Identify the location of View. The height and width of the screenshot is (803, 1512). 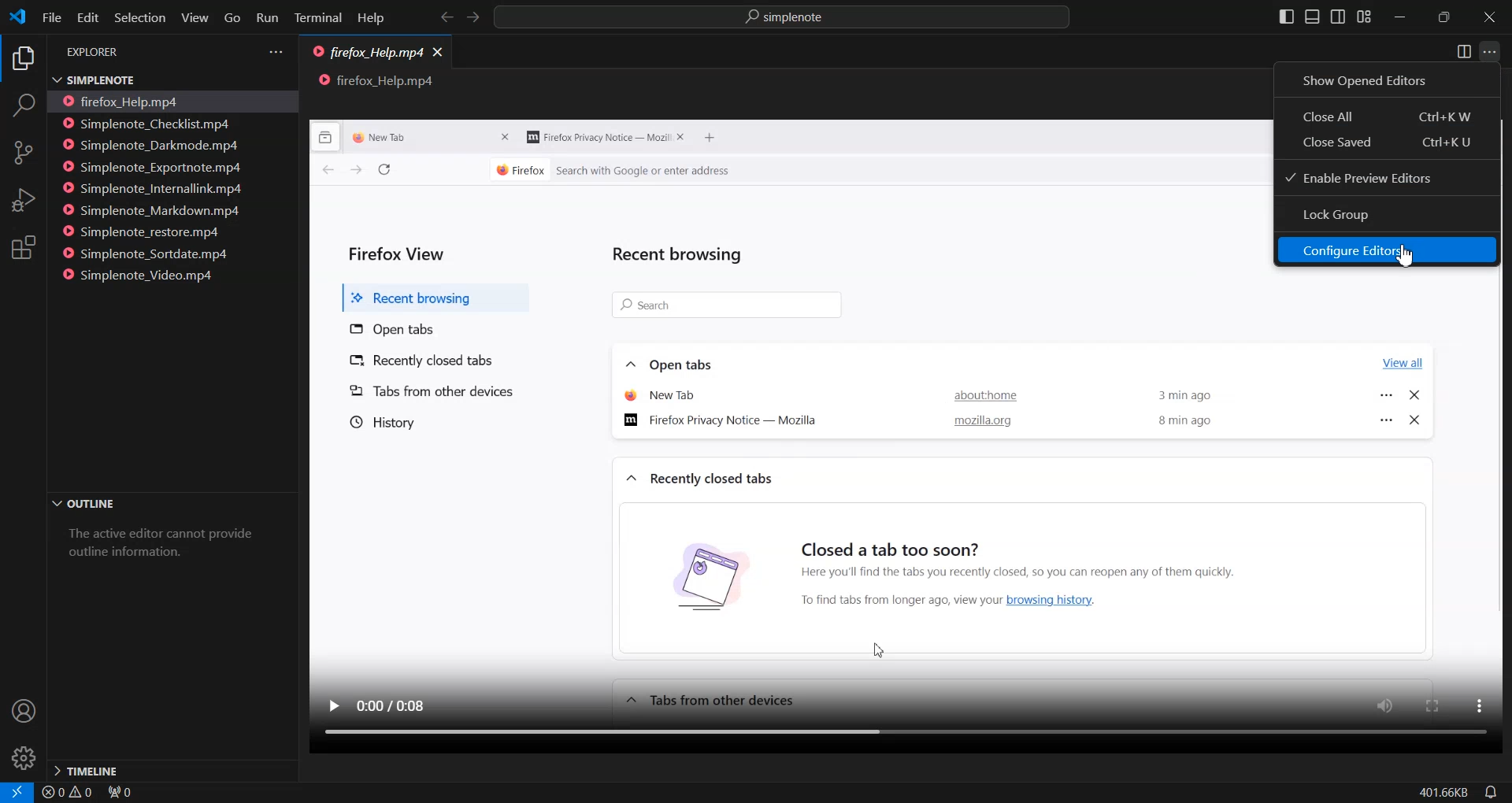
(195, 17).